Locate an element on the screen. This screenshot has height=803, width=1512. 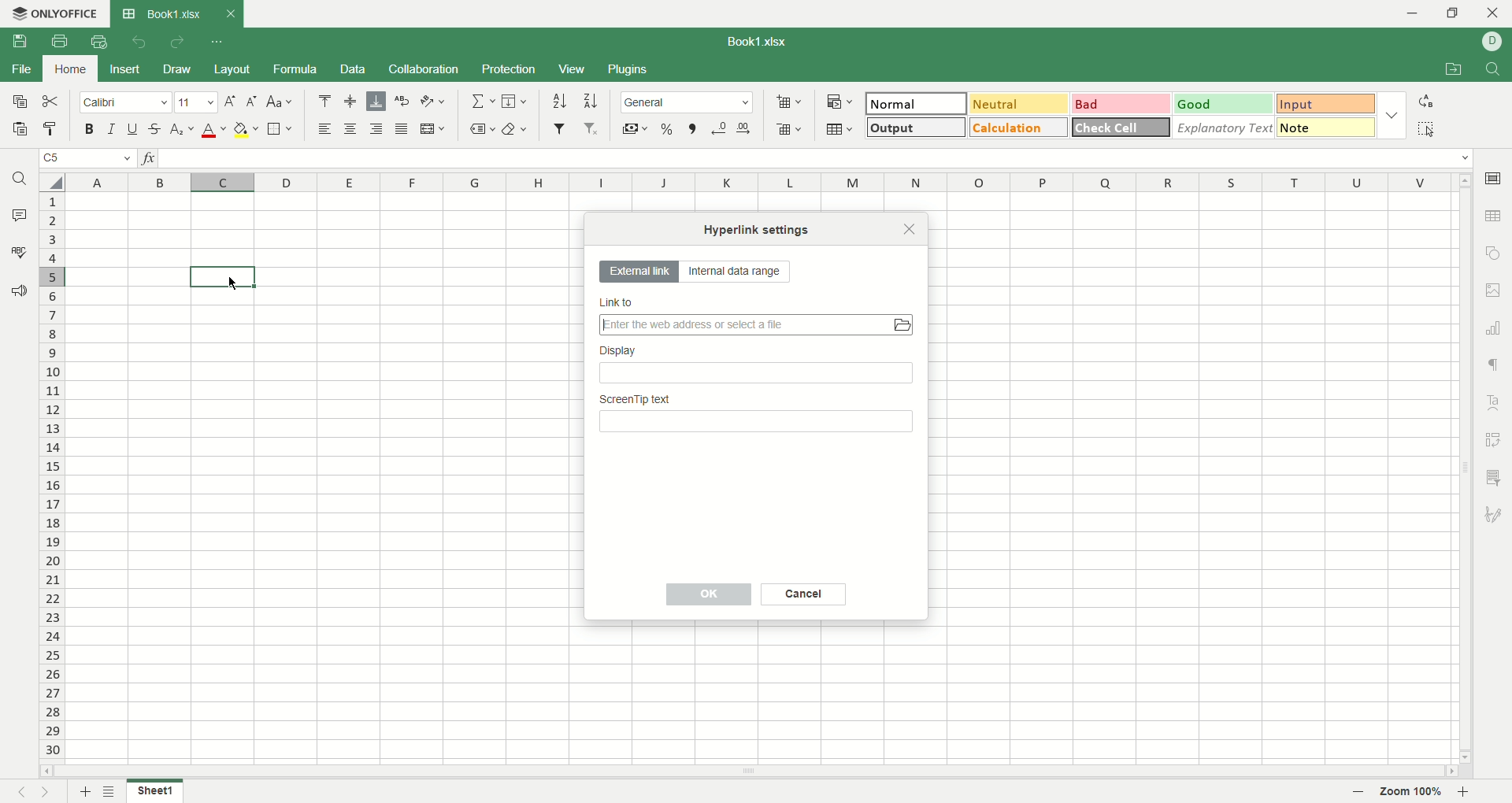
horizontal scroll bar is located at coordinates (748, 772).